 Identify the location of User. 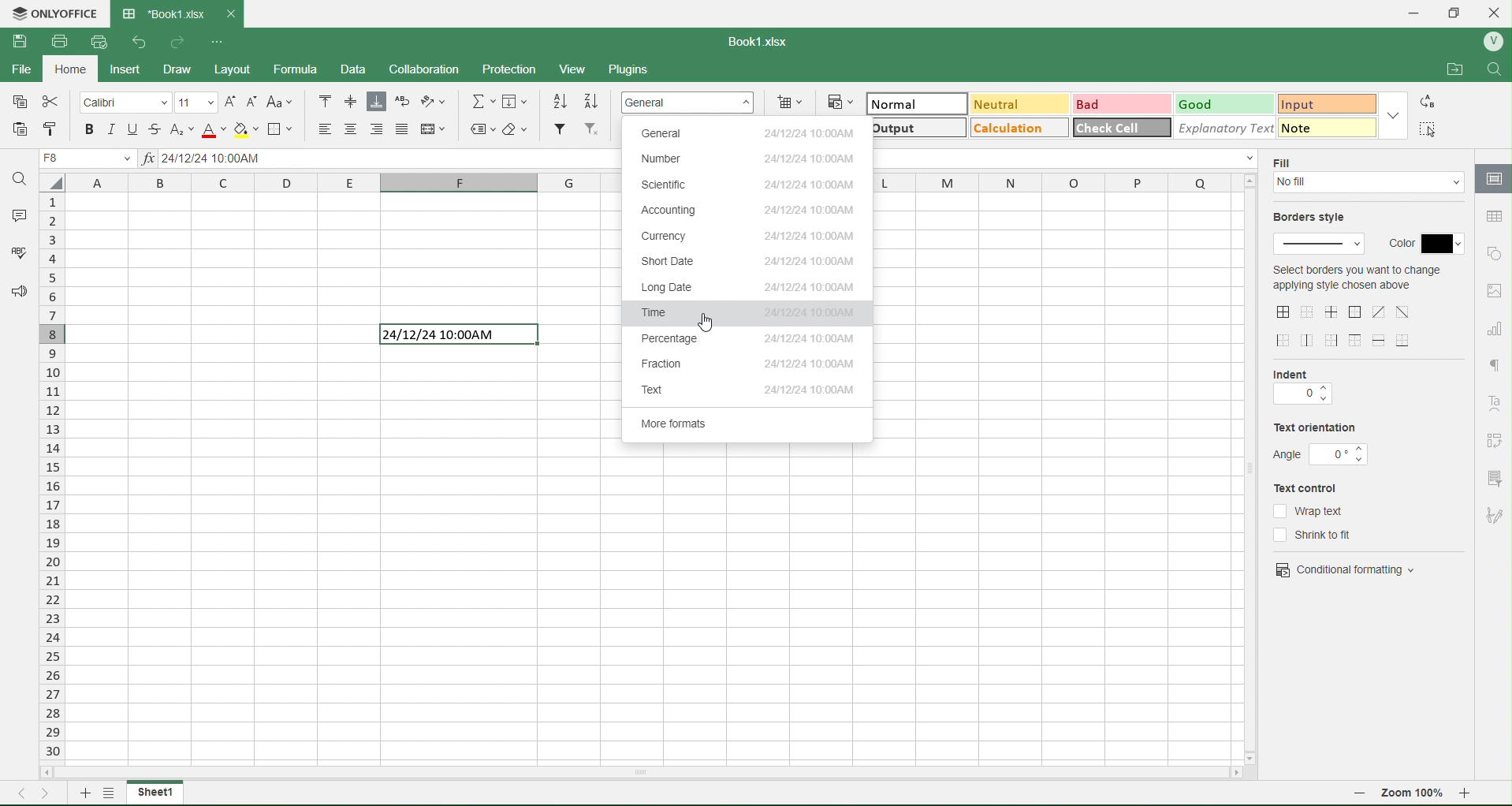
(1492, 42).